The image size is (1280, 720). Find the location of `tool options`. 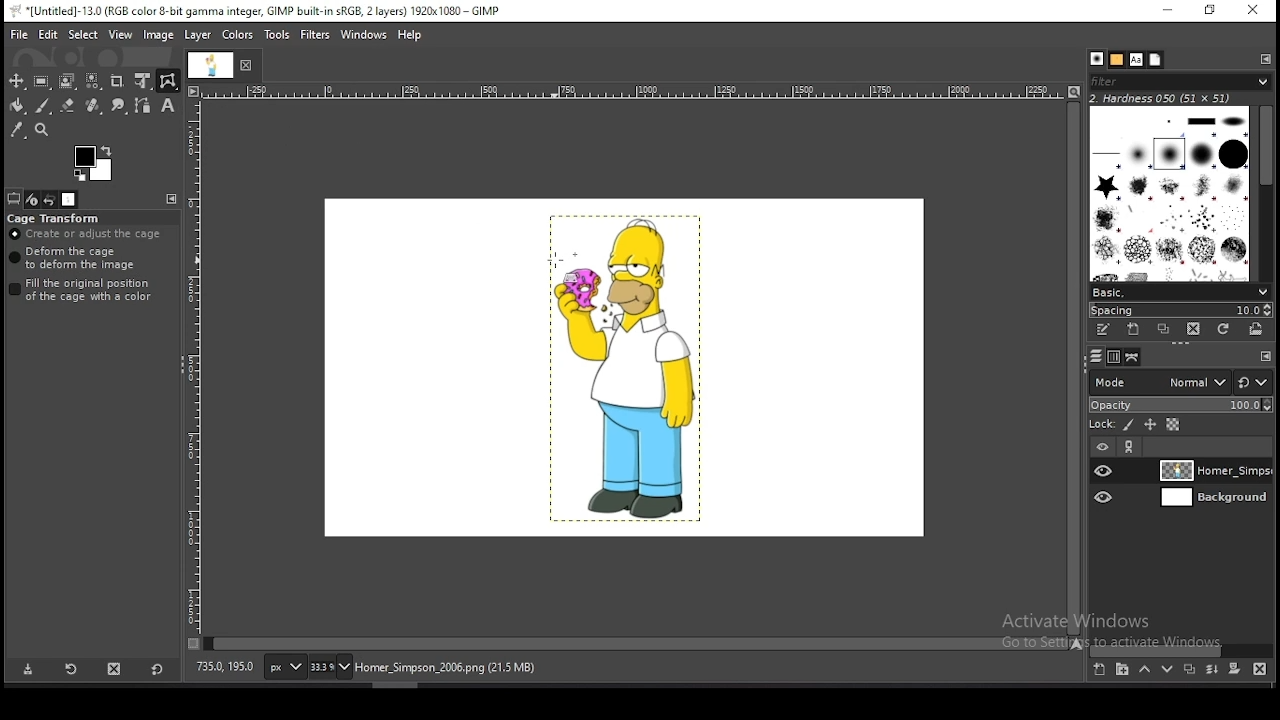

tool options is located at coordinates (14, 199).